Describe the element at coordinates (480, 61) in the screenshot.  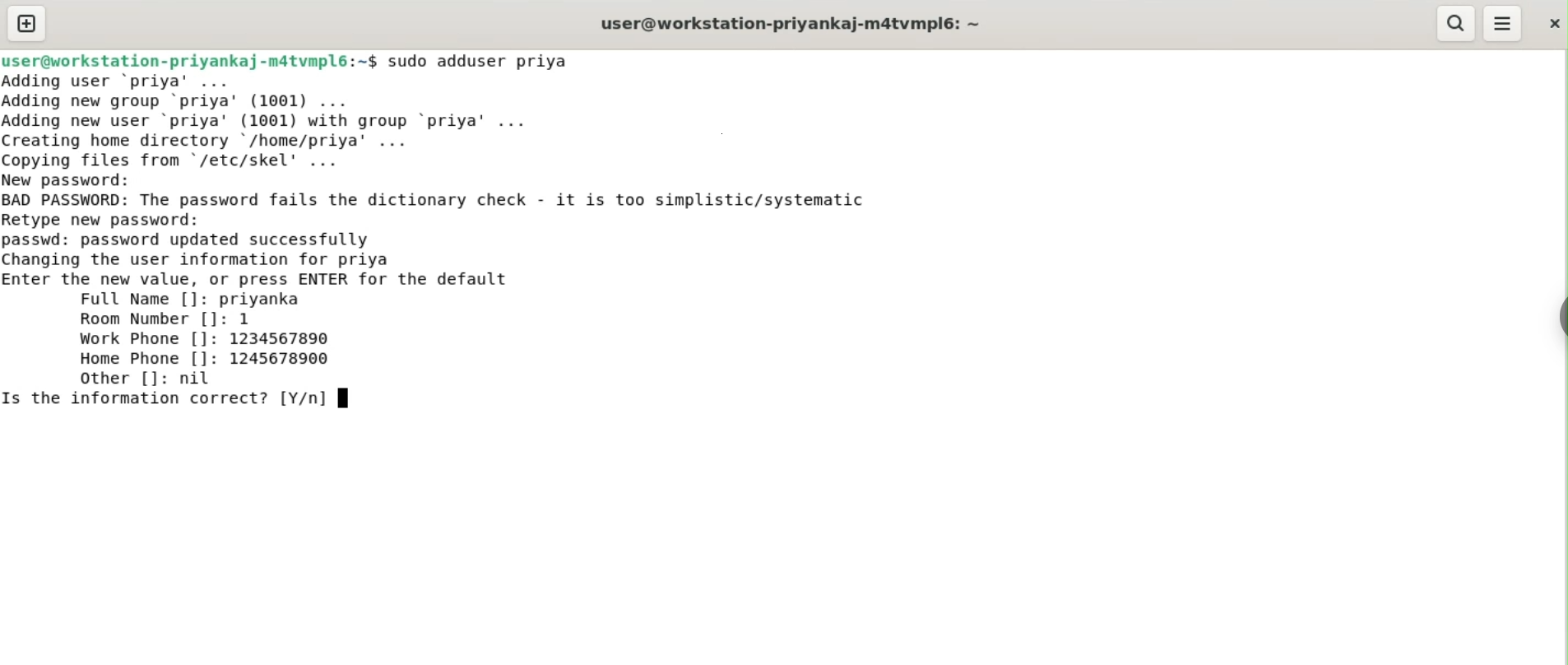
I see `sudo adduser priya` at that location.